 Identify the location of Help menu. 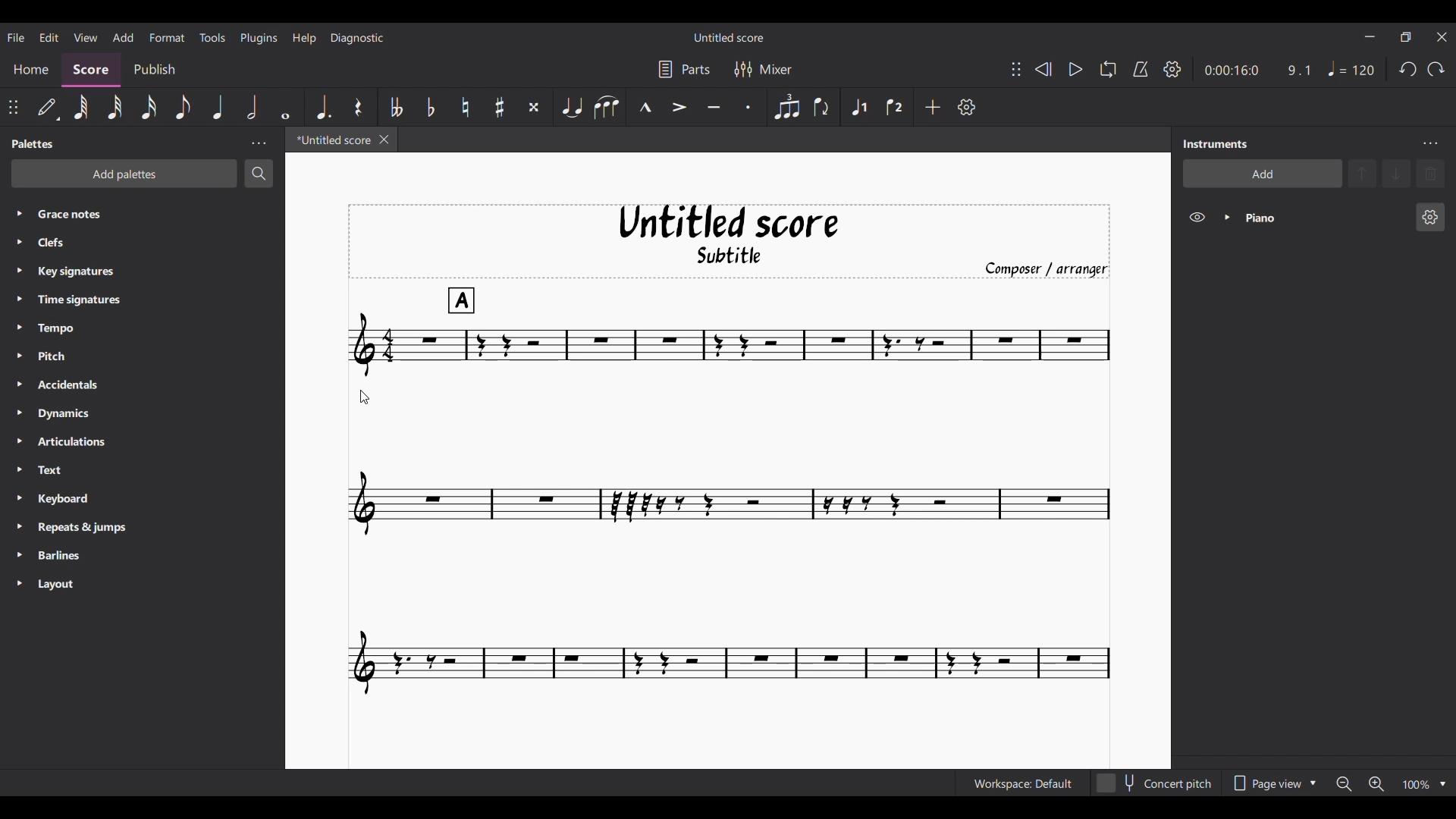
(306, 38).